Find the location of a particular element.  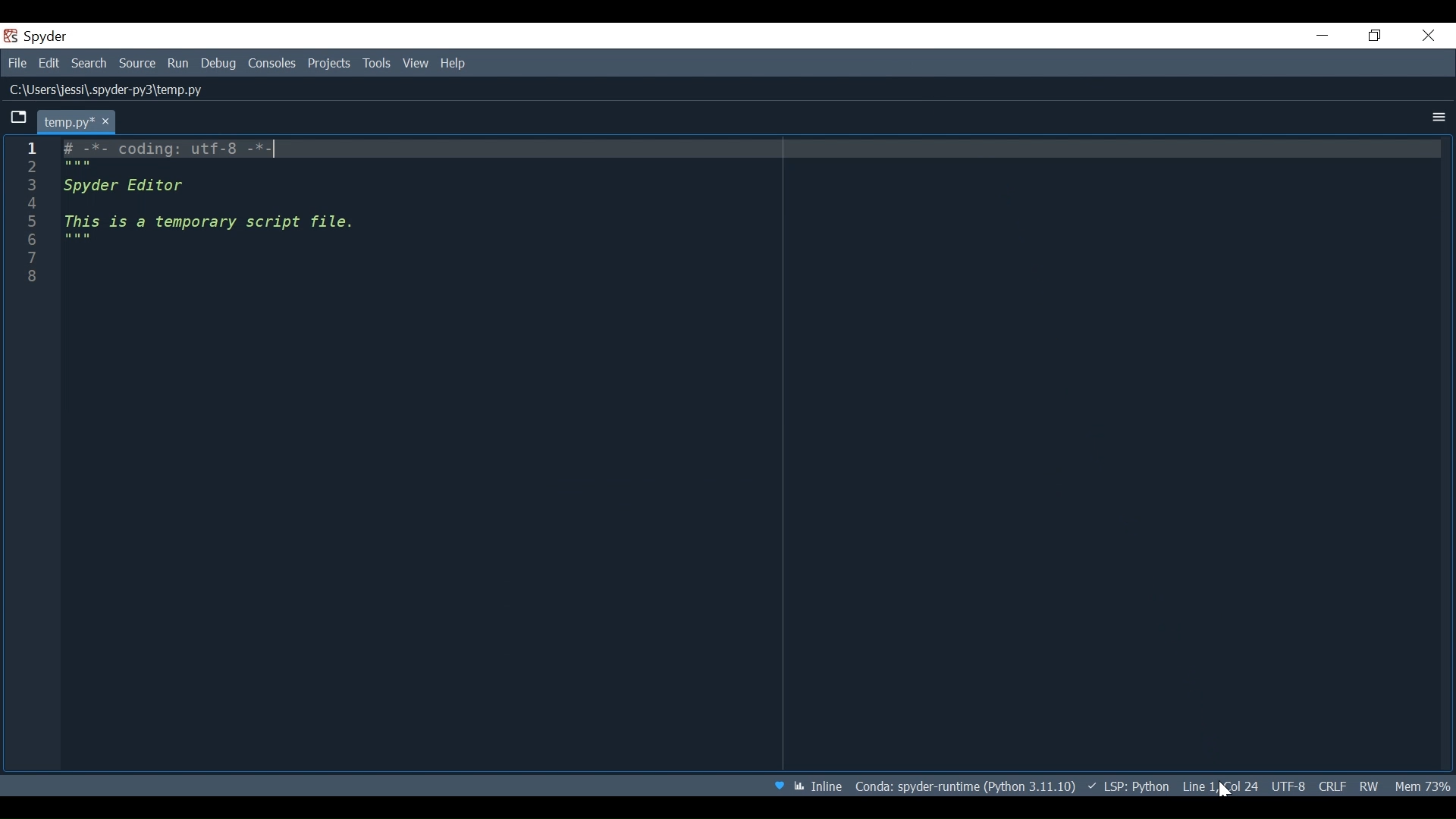

language is located at coordinates (1129, 784).